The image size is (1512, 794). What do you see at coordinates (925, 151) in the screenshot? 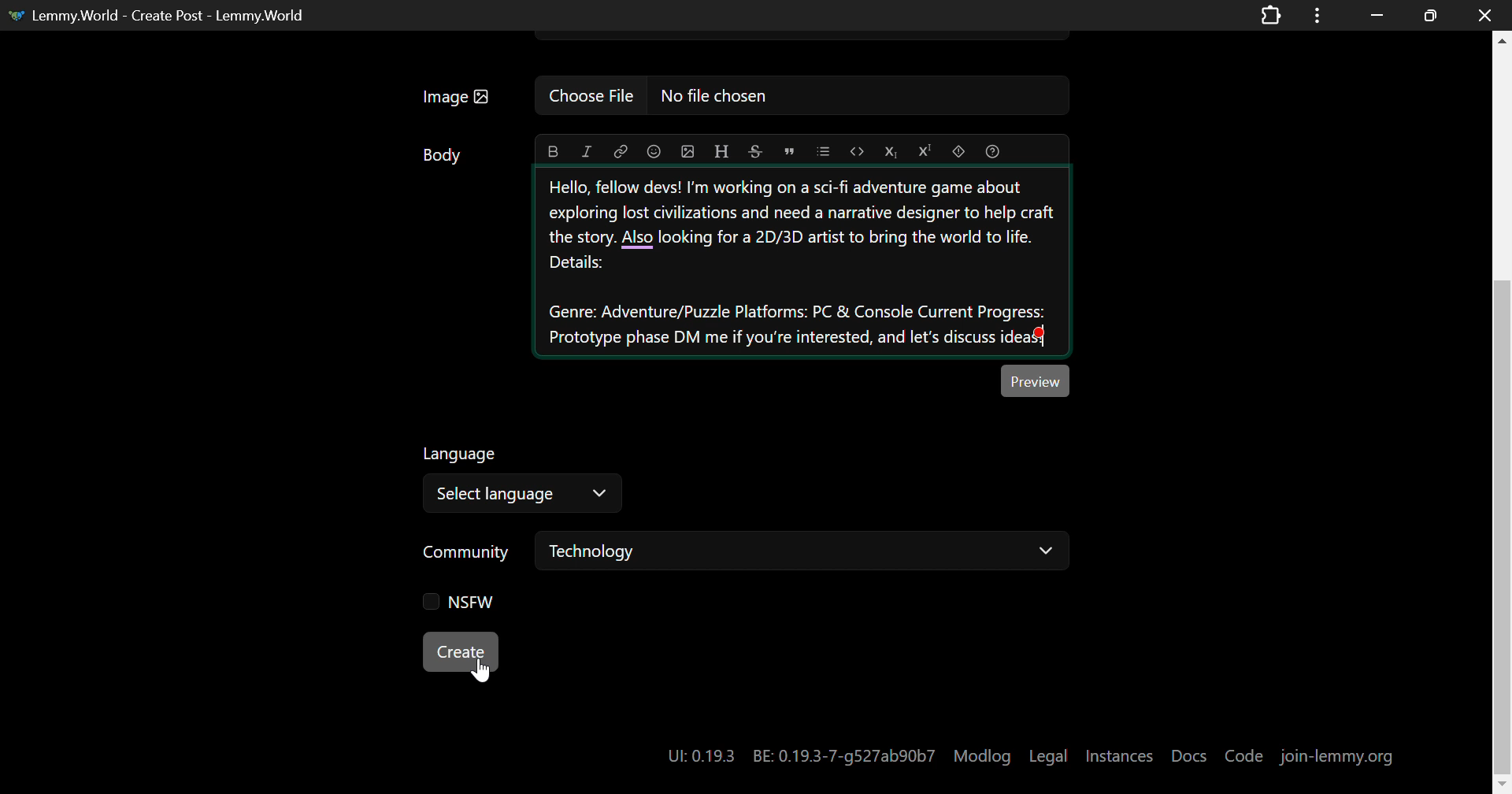
I see `superscript` at bounding box center [925, 151].